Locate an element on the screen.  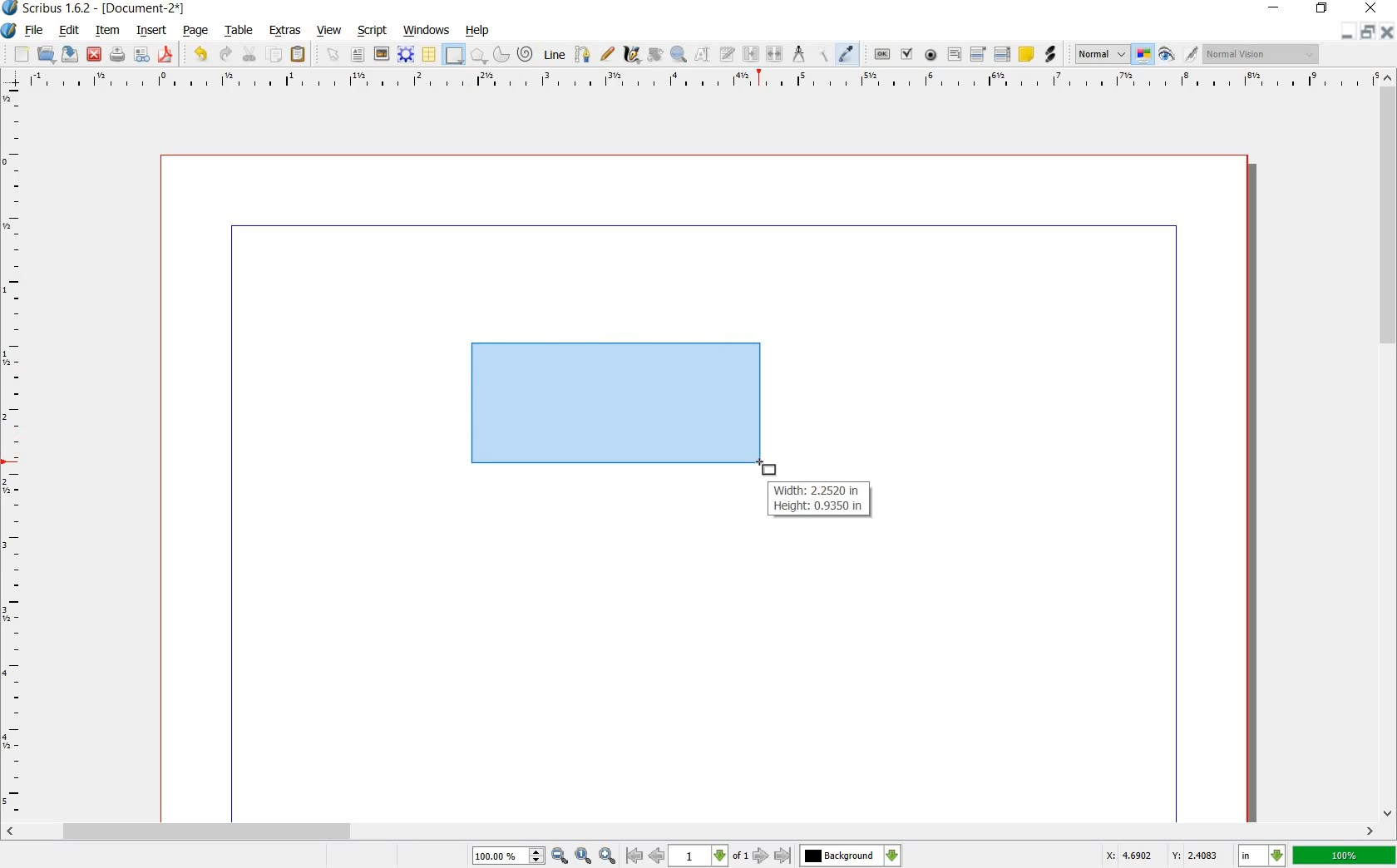
REDO is located at coordinates (226, 55).